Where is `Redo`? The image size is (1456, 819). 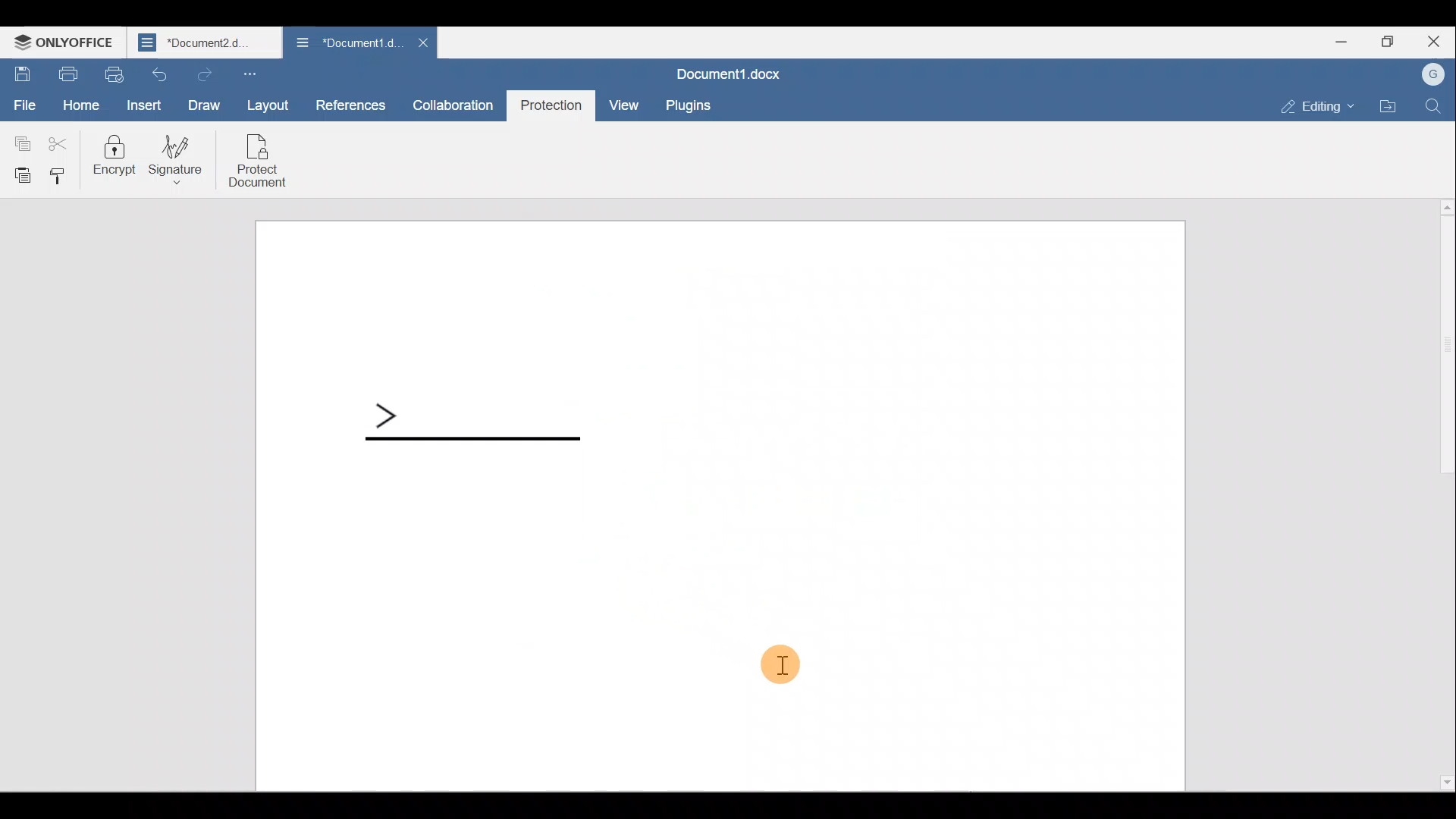
Redo is located at coordinates (202, 74).